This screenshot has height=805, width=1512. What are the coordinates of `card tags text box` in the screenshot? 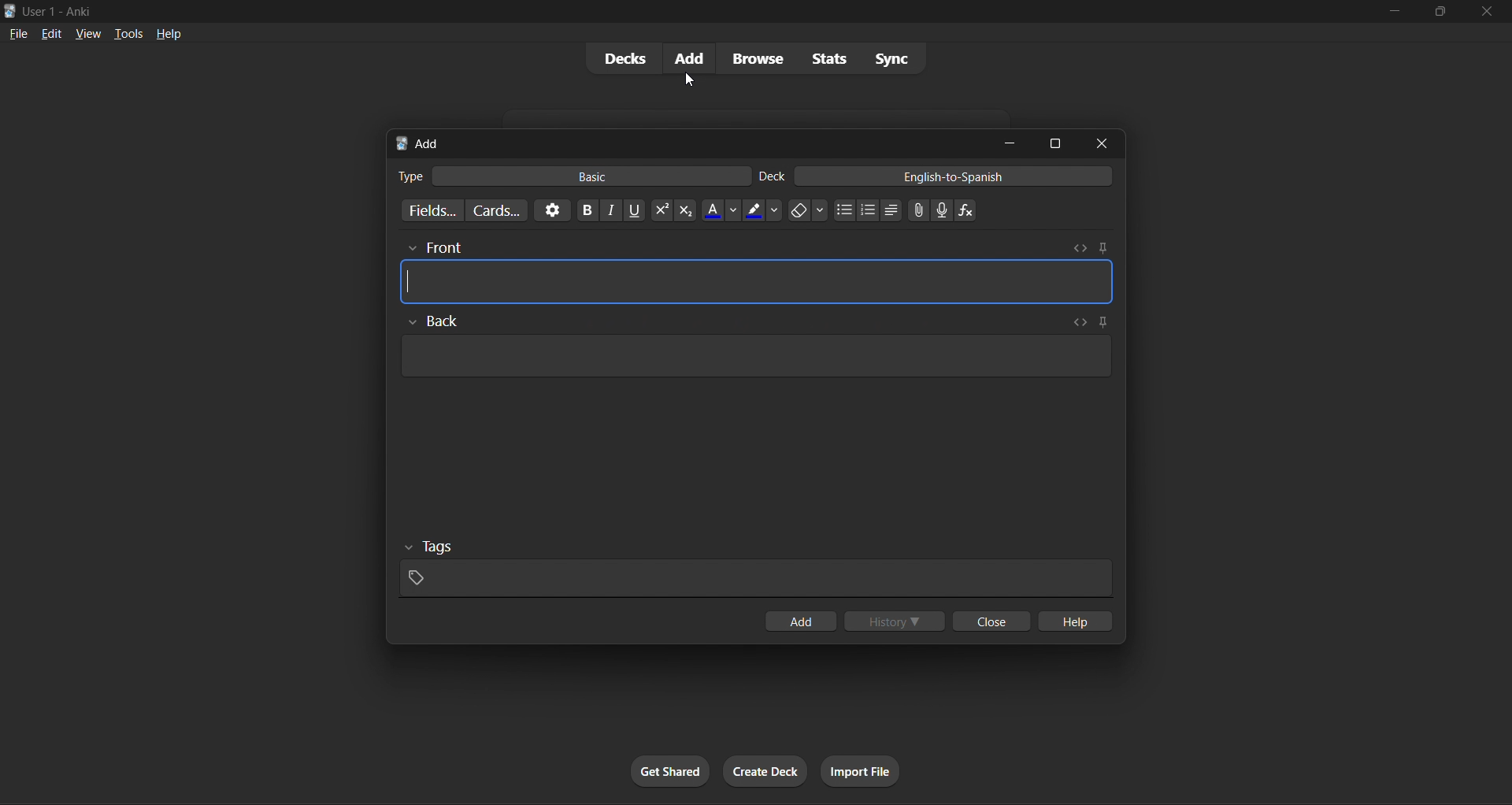 It's located at (754, 568).